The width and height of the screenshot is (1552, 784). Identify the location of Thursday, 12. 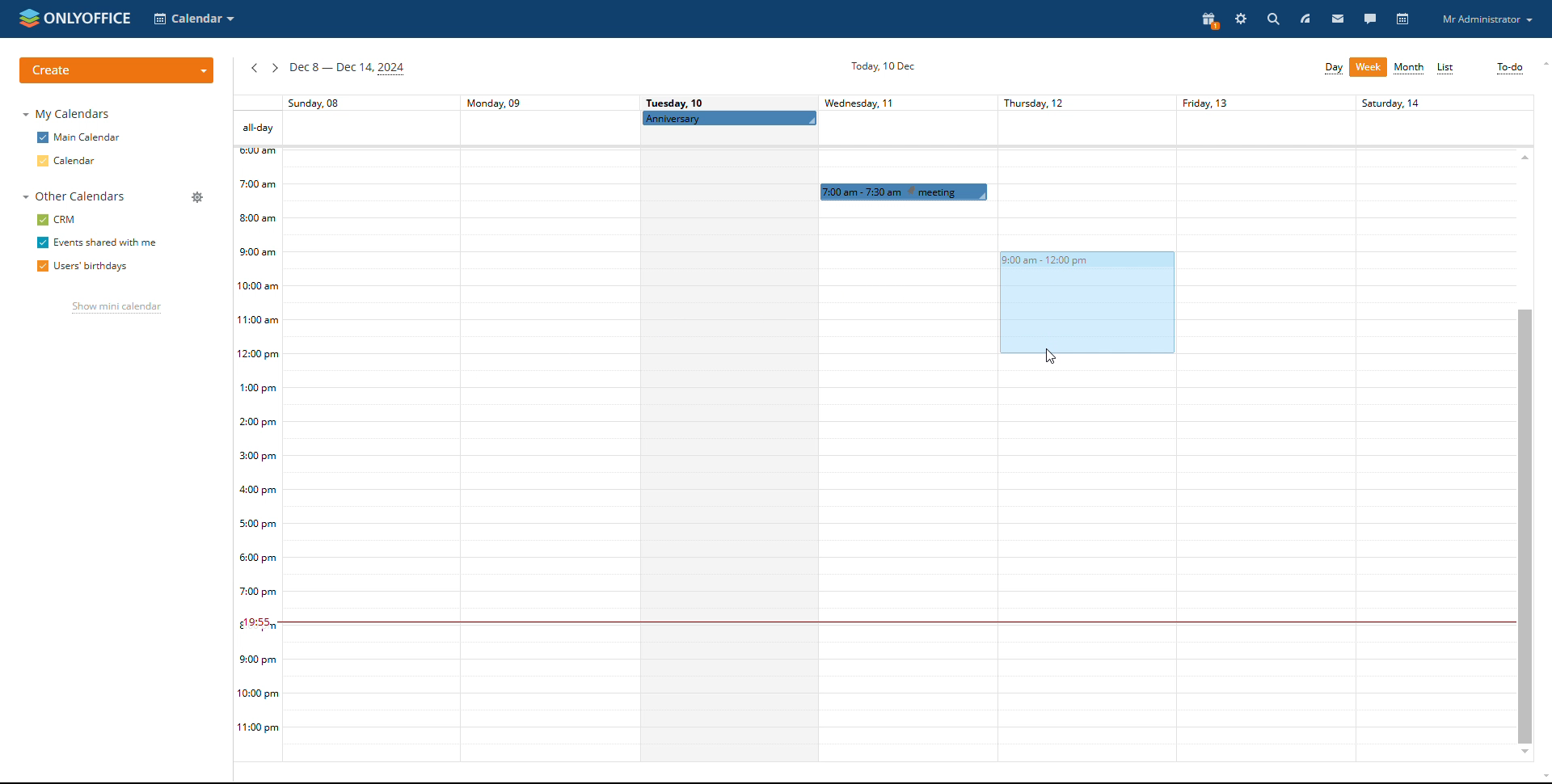
(1076, 102).